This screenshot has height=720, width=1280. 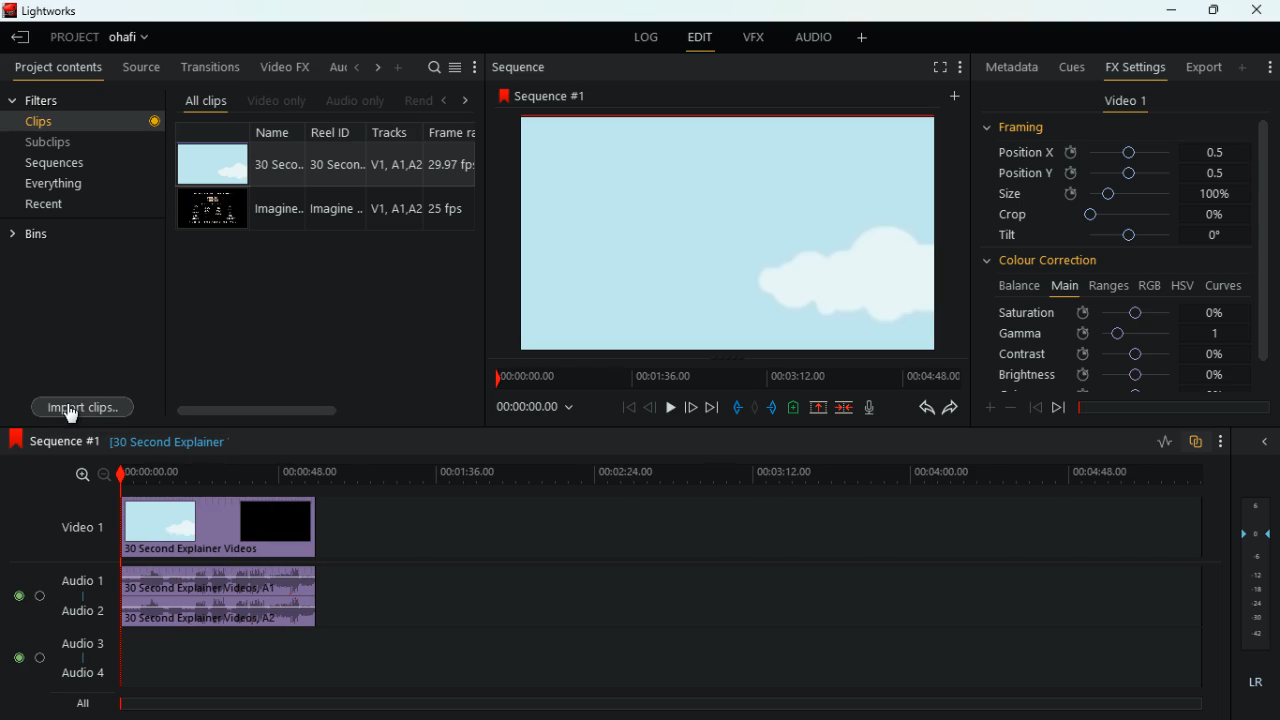 I want to click on minimize, so click(x=1264, y=440).